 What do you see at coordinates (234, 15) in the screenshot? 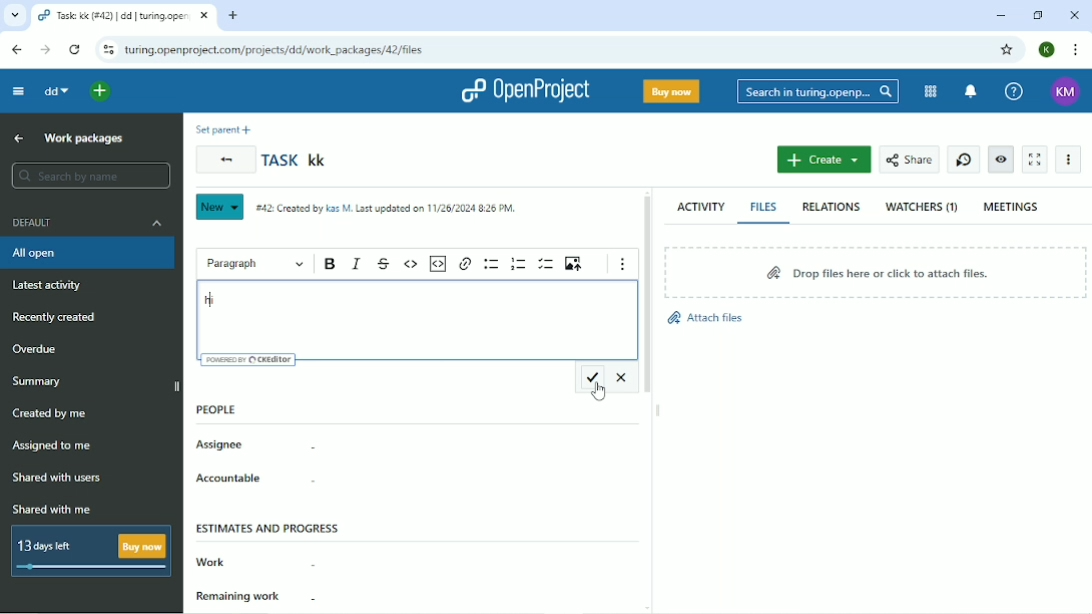
I see `New tab` at bounding box center [234, 15].